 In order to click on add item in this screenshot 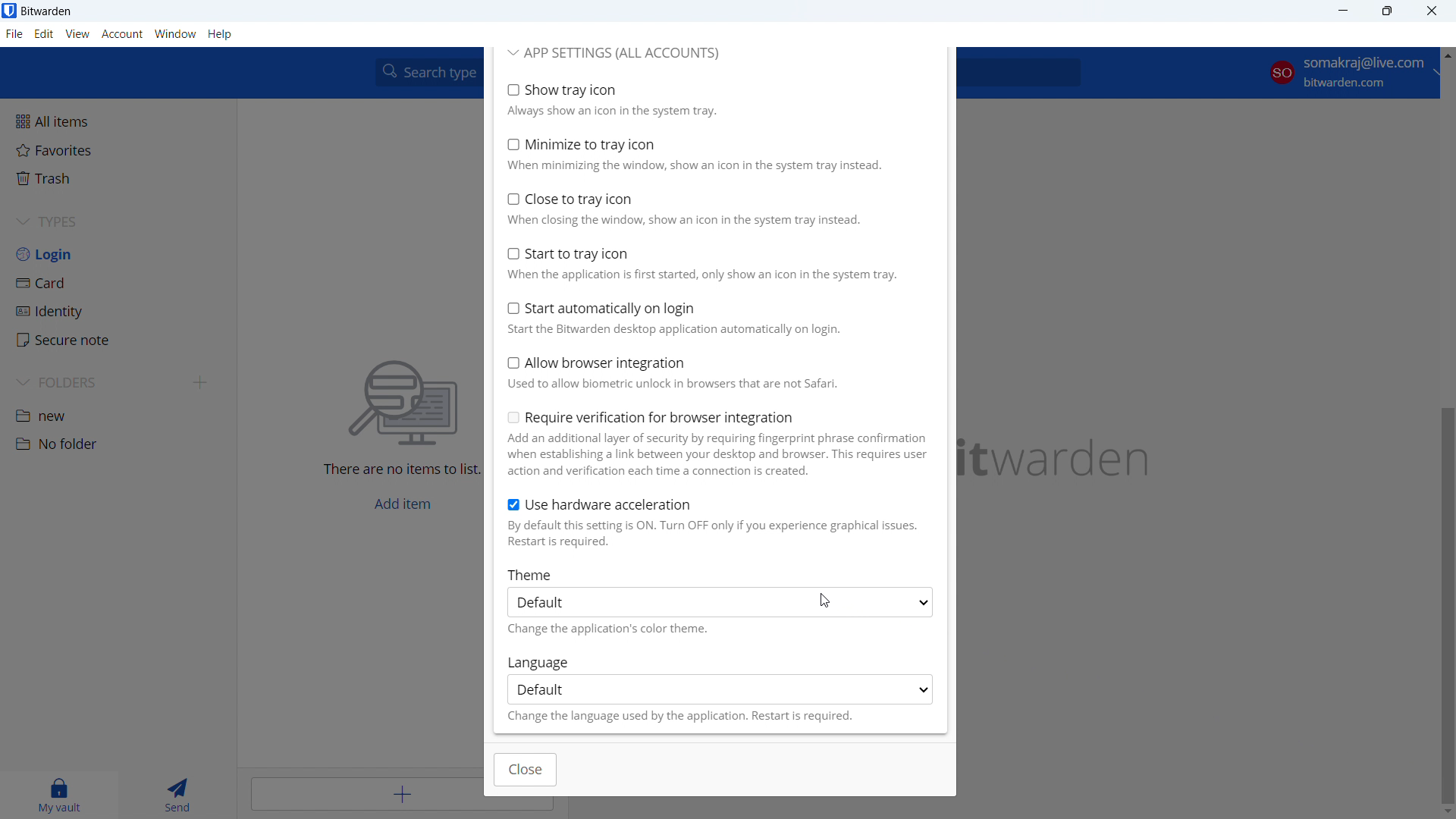, I will do `click(366, 792)`.